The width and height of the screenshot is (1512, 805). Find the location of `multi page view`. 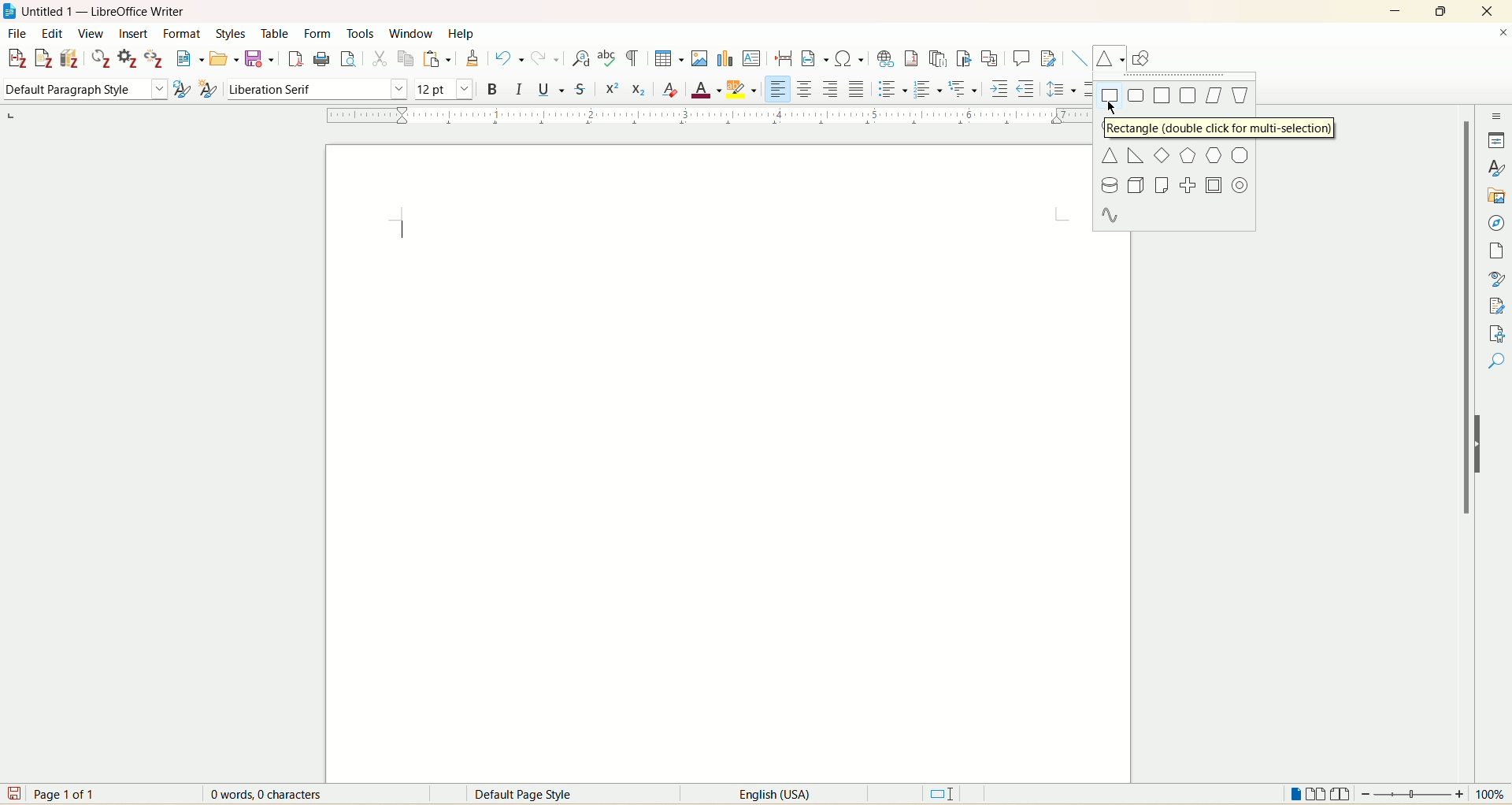

multi page view is located at coordinates (1317, 793).